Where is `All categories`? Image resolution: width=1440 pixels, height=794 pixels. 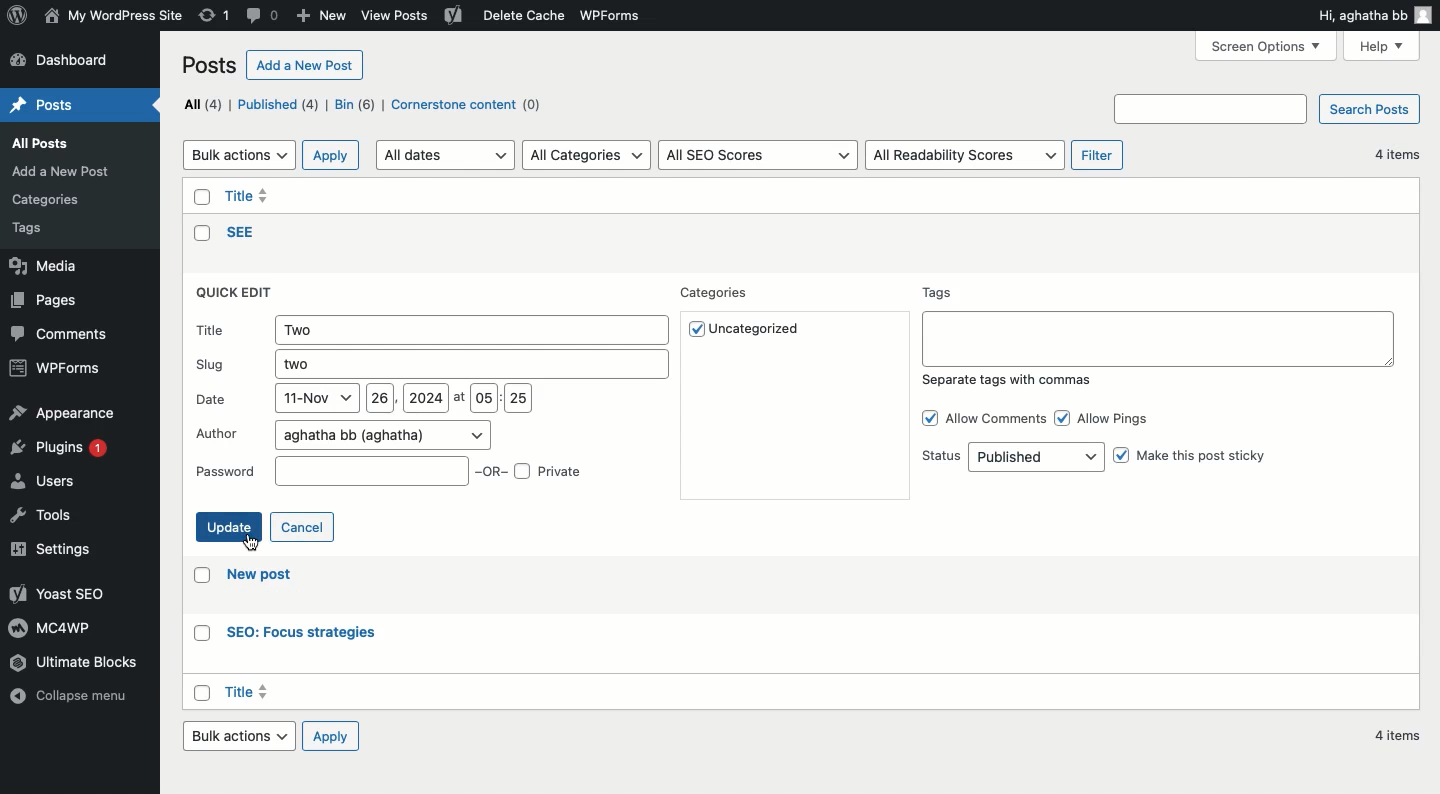 All categories is located at coordinates (588, 154).